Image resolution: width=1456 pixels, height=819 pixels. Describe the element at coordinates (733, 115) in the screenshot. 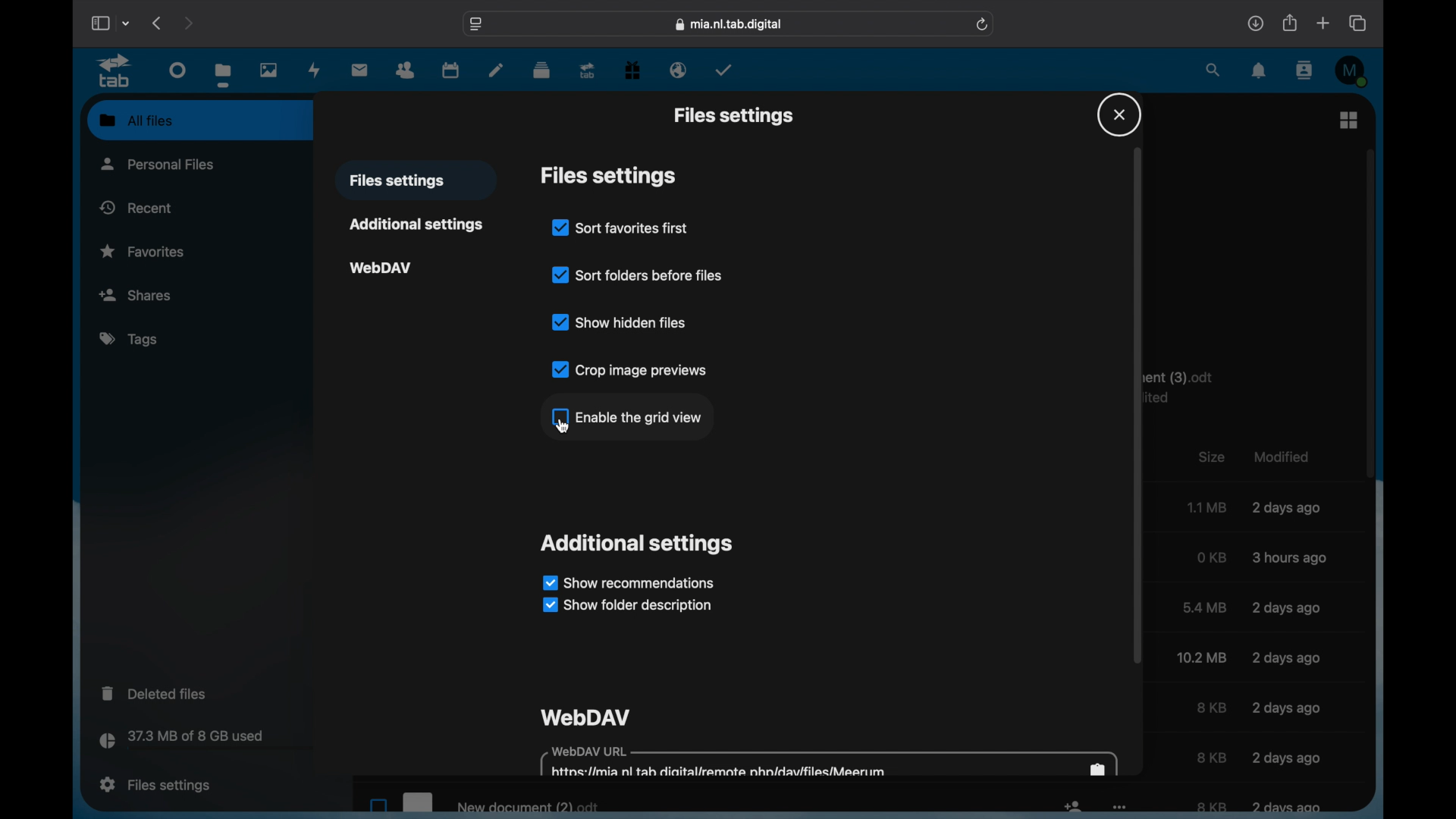

I see `files settings` at that location.